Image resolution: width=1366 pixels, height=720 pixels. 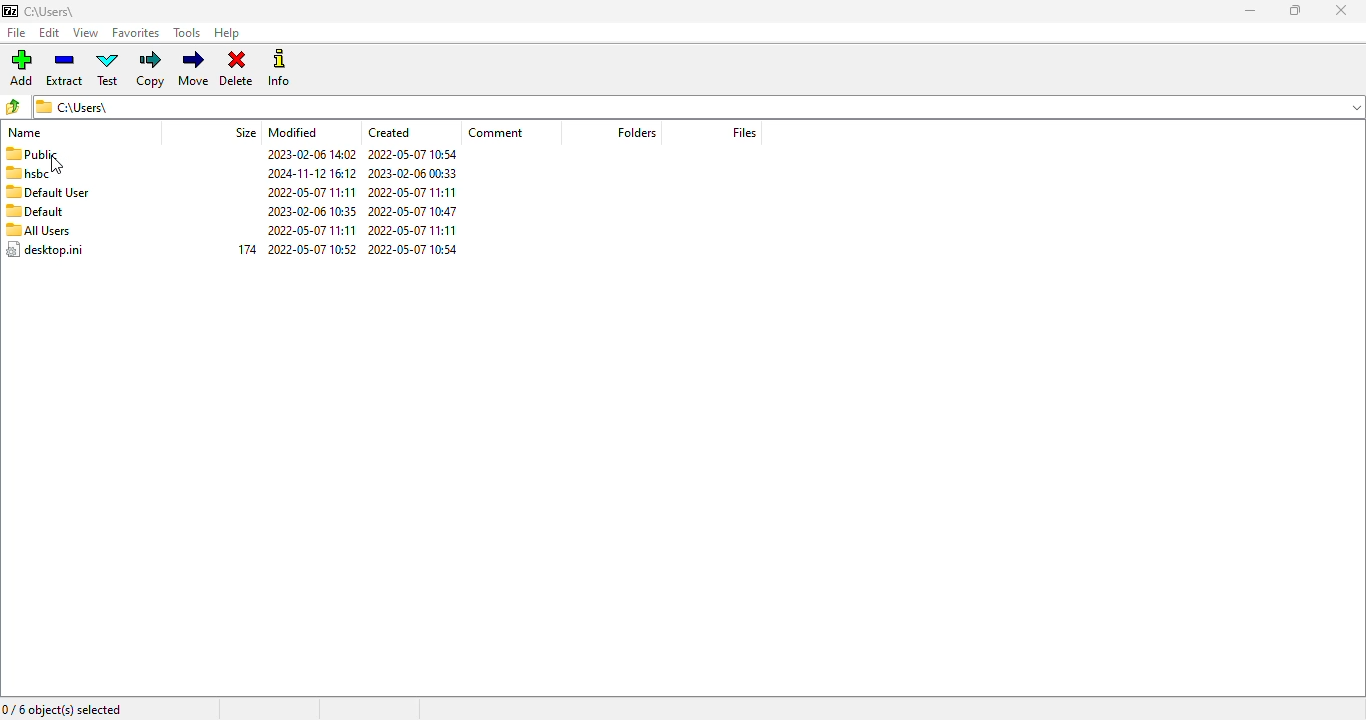 I want to click on 2022-05-07 10:47, so click(x=417, y=210).